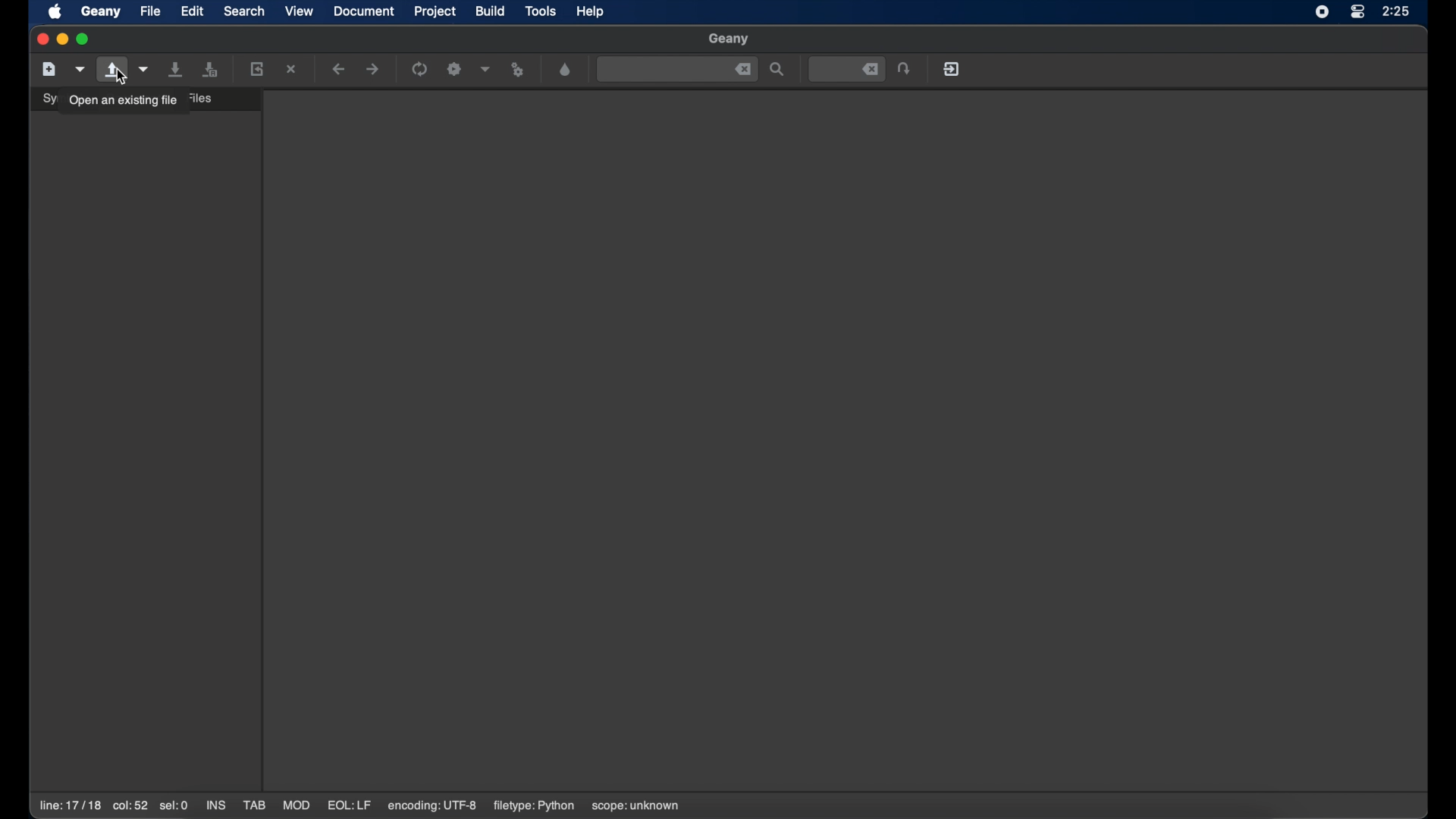 This screenshot has width=1456, height=819. Describe the element at coordinates (486, 69) in the screenshot. I see `choose more build actions` at that location.